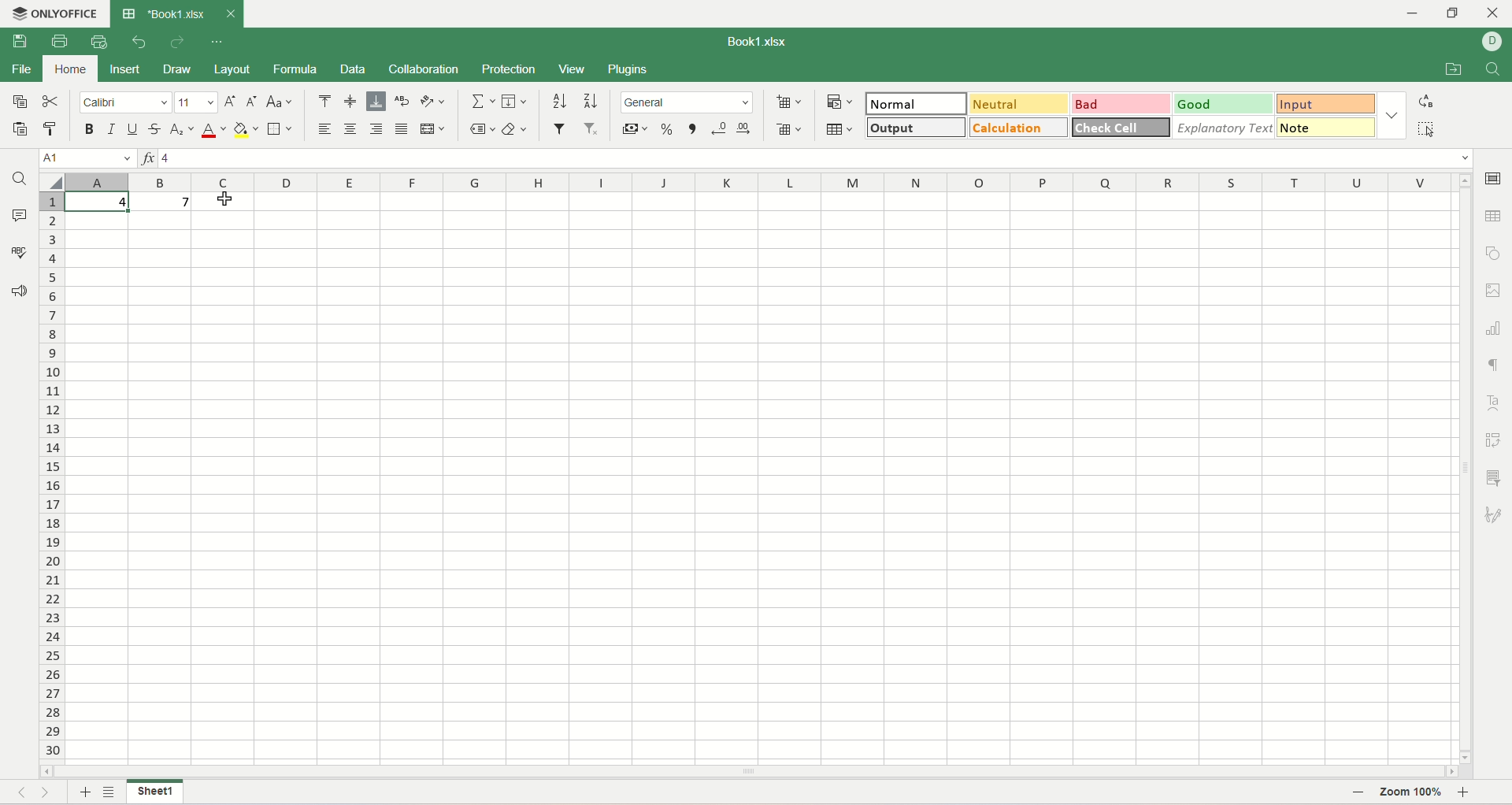 The height and width of the screenshot is (805, 1512). I want to click on sheet list, so click(109, 793).